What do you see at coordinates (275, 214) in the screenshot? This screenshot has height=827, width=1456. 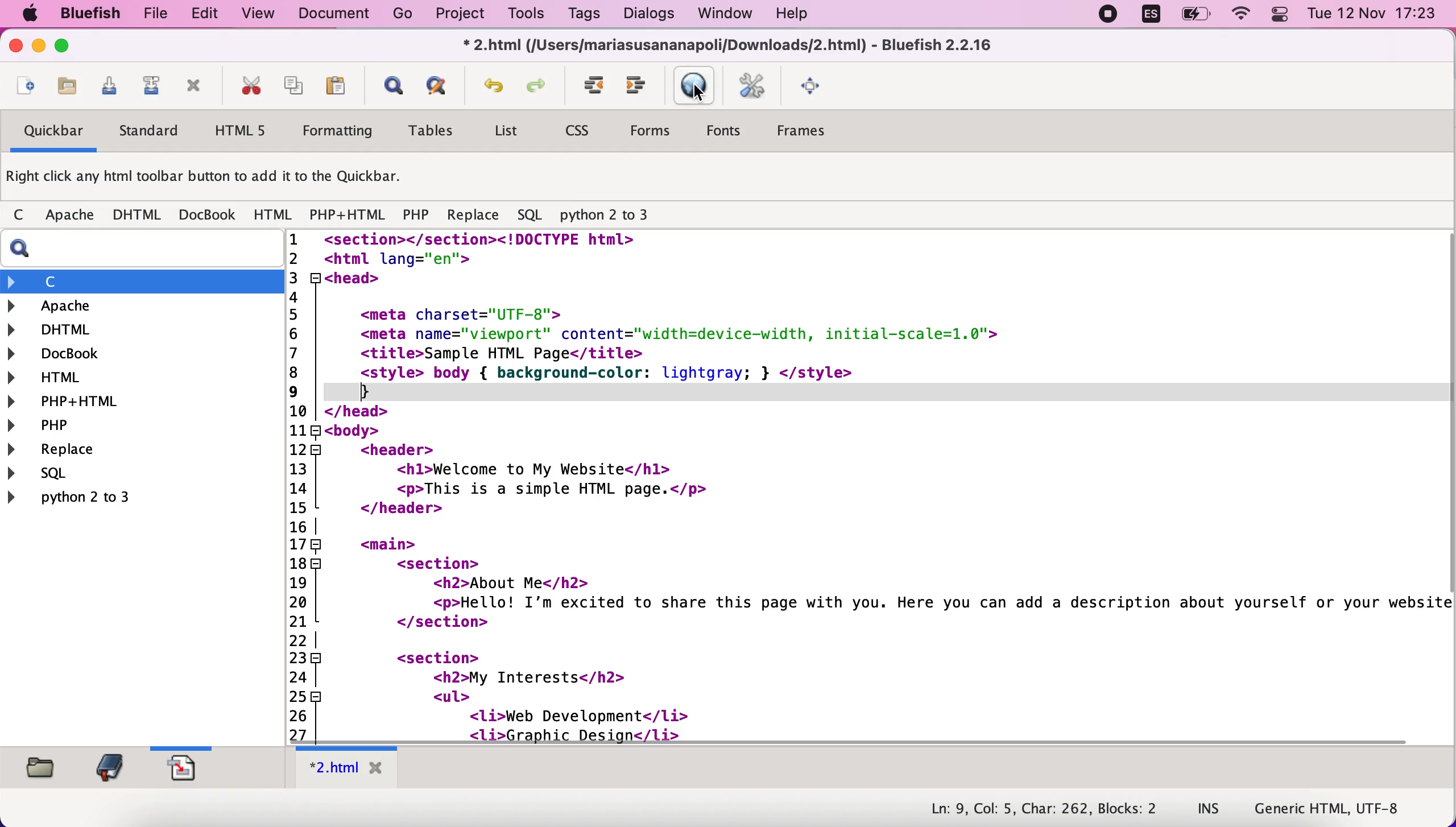 I see `html` at bounding box center [275, 214].